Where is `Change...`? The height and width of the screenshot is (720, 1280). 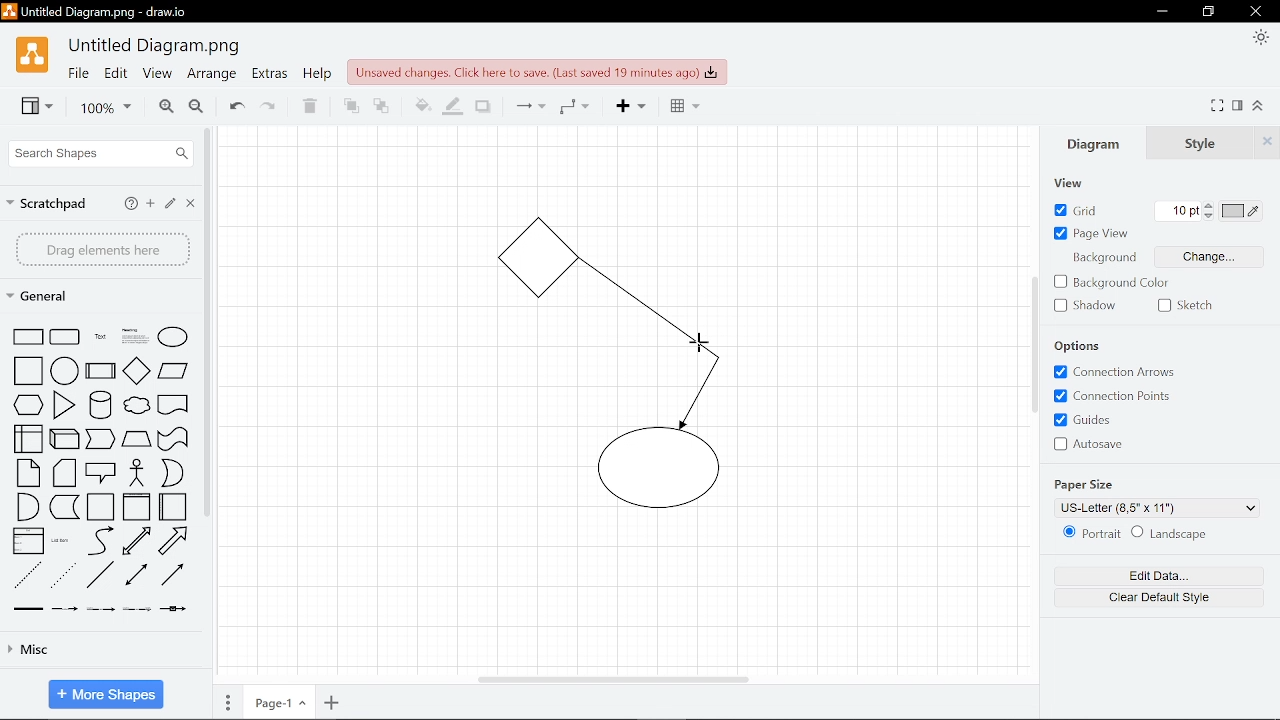
Change... is located at coordinates (1208, 257).